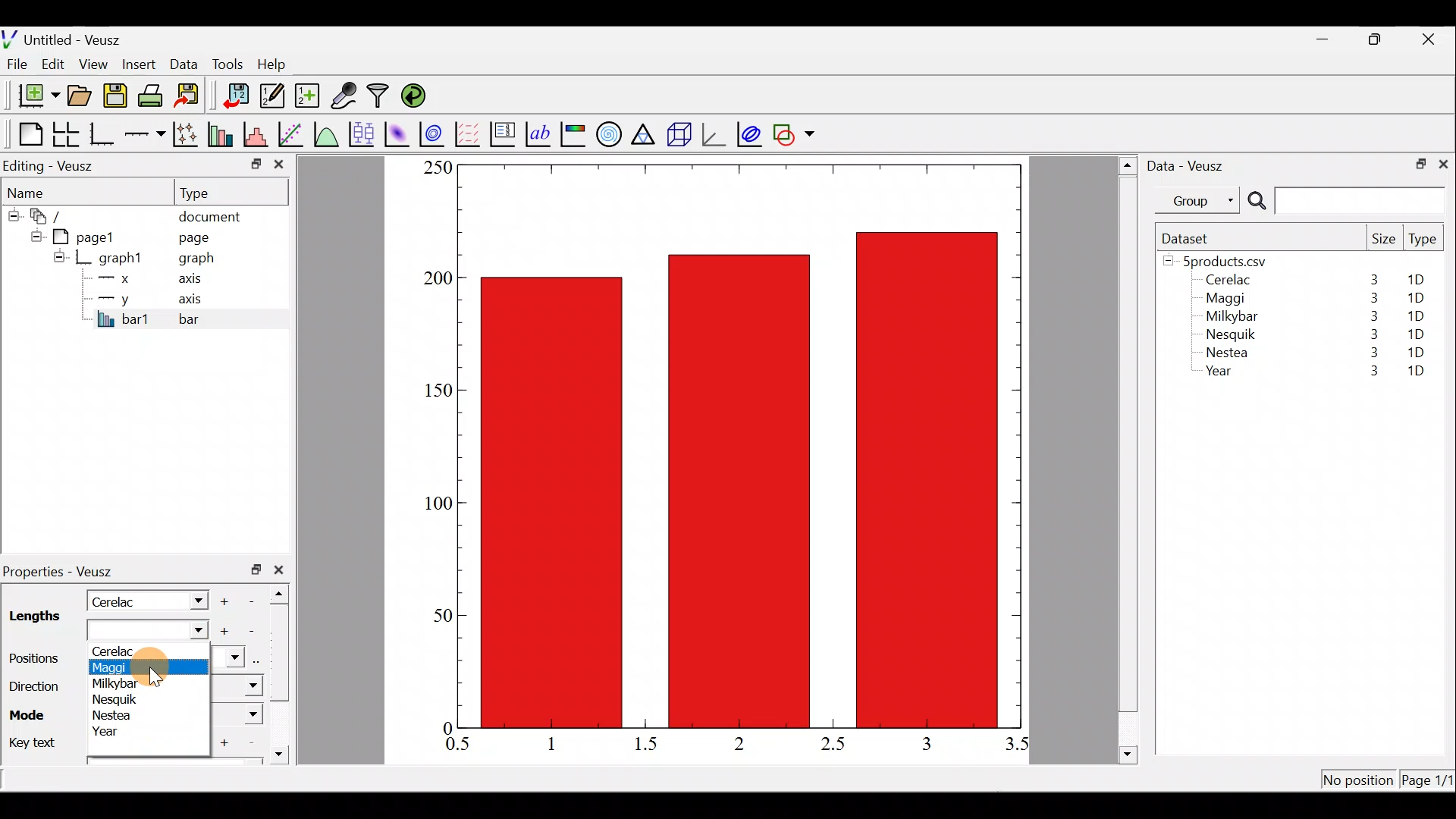  I want to click on Arrange graphs in a grid, so click(65, 134).